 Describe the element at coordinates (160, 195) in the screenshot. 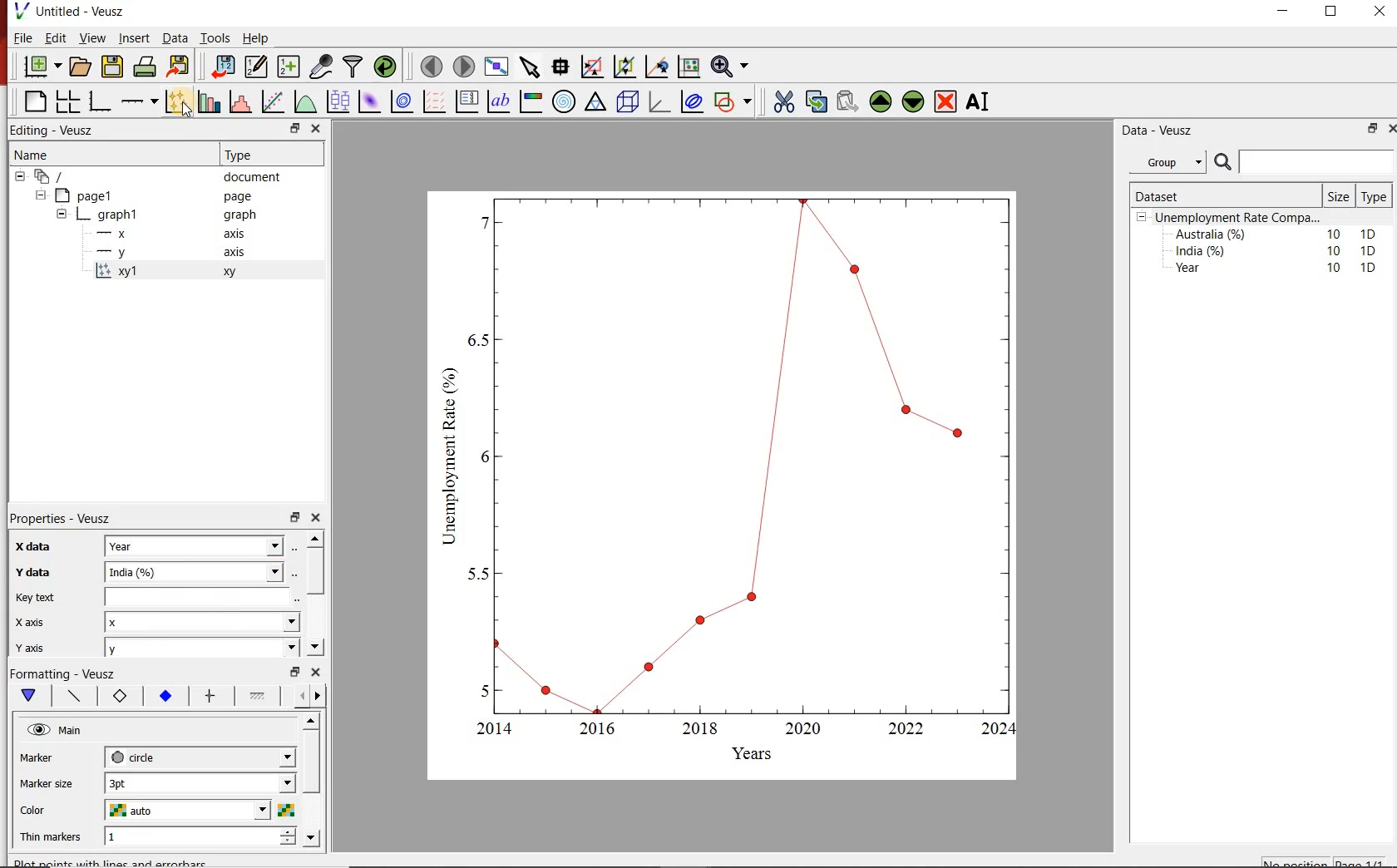

I see `page1 page` at that location.